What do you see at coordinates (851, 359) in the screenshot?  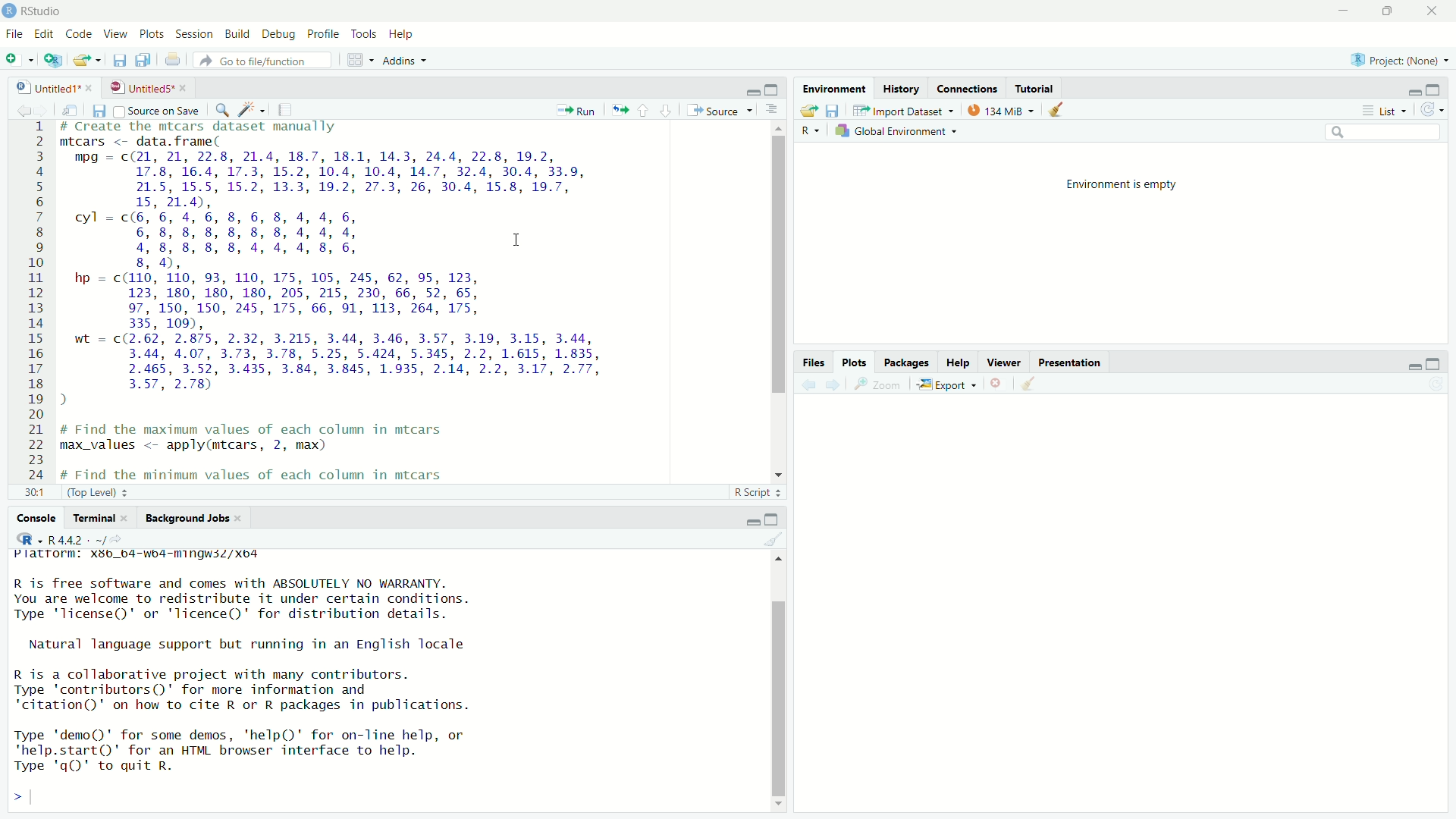 I see `Plots` at bounding box center [851, 359].